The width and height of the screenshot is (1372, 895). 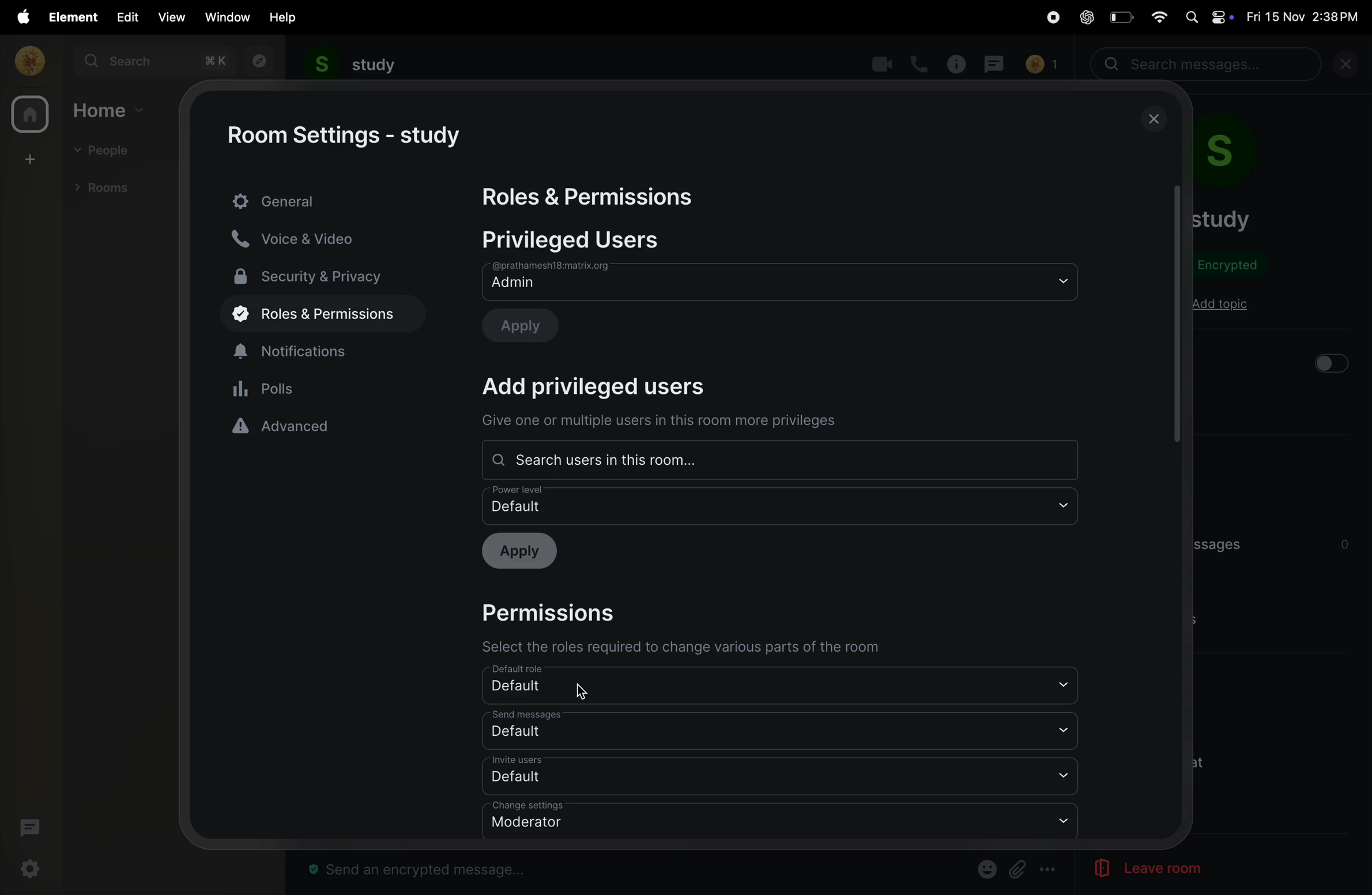 What do you see at coordinates (1018, 869) in the screenshot?
I see `` at bounding box center [1018, 869].